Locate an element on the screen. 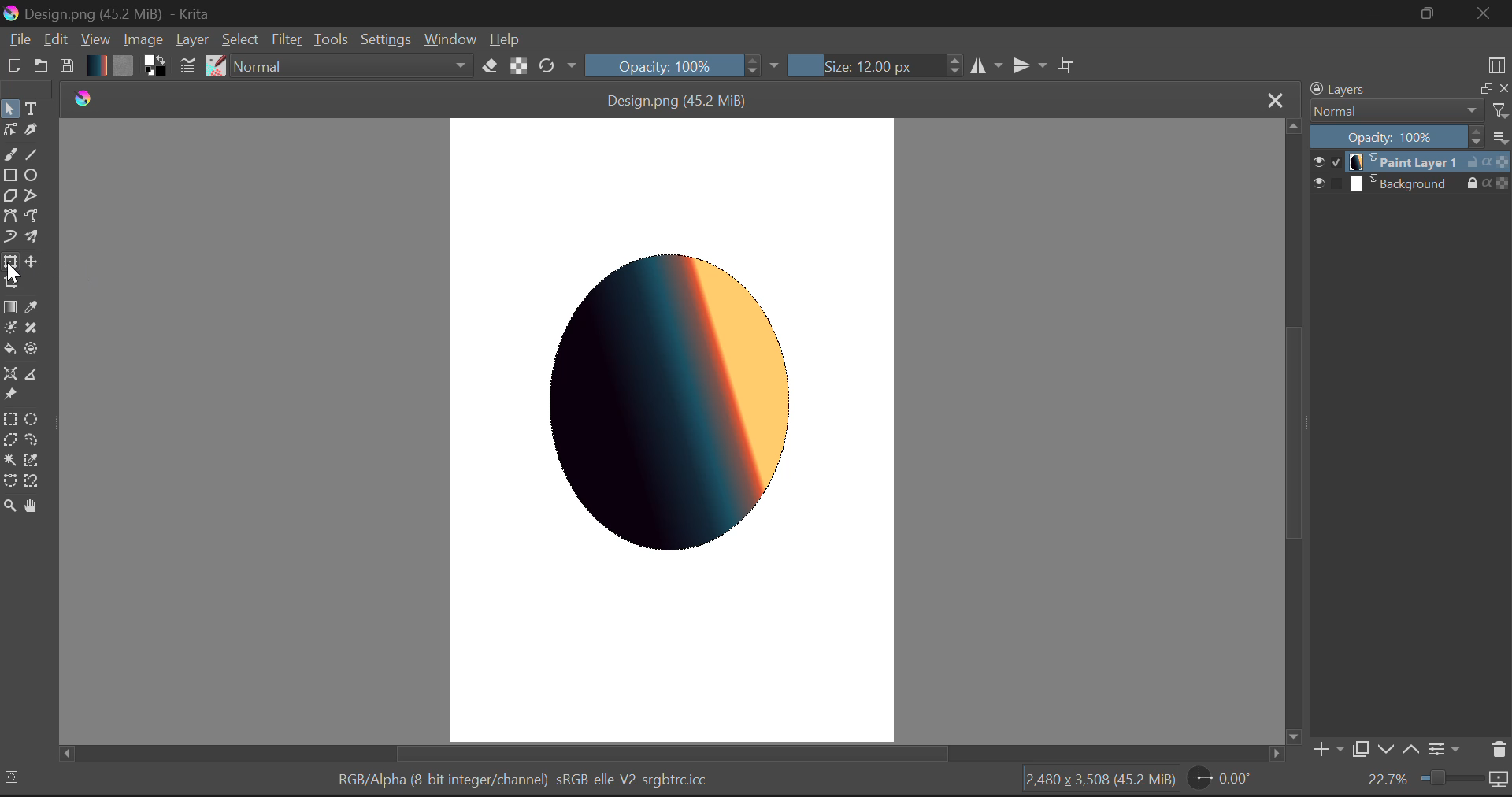  Move Layer is located at coordinates (30, 261).